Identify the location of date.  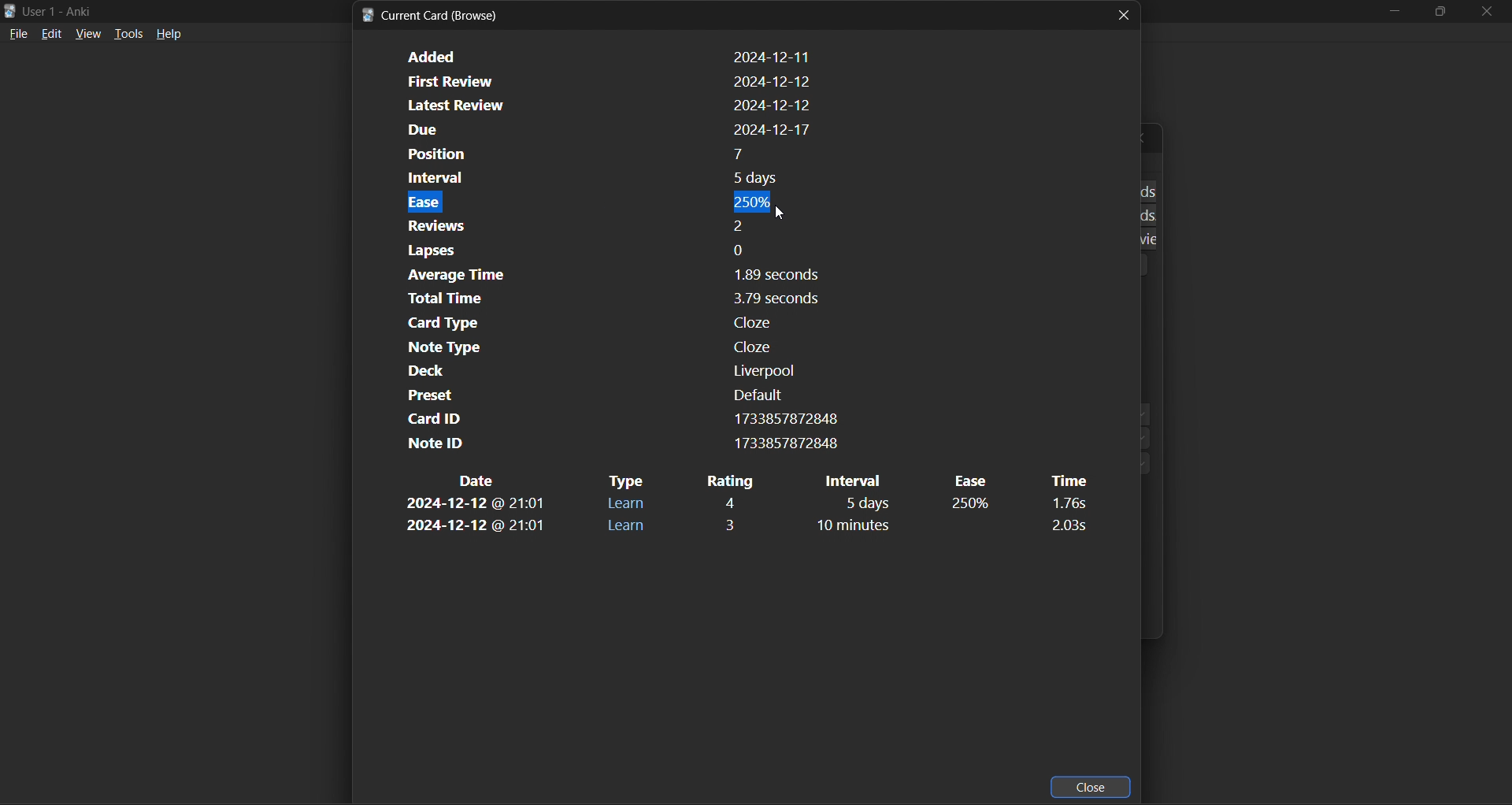
(475, 527).